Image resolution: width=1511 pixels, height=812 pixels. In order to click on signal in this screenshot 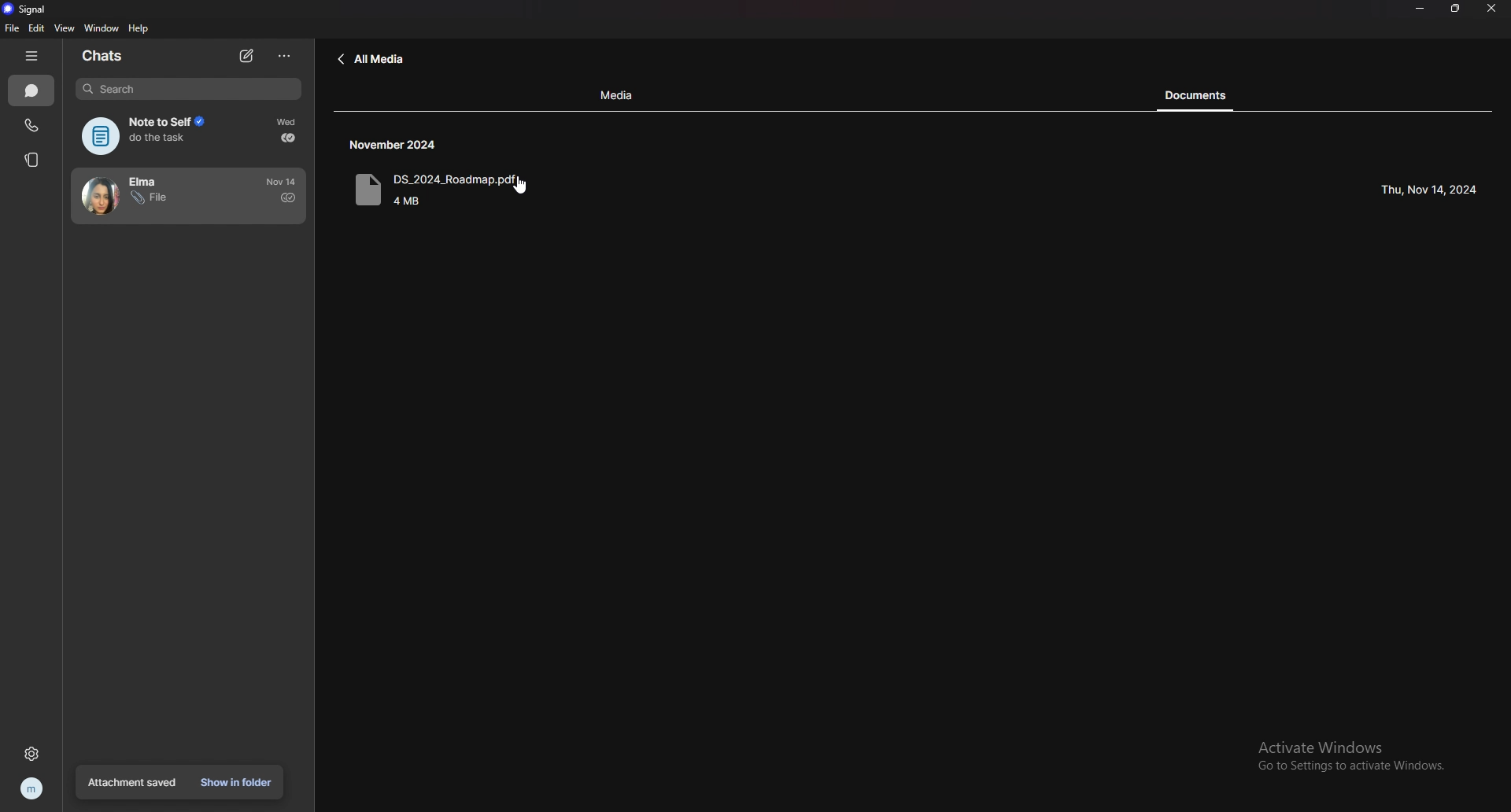, I will do `click(33, 8)`.